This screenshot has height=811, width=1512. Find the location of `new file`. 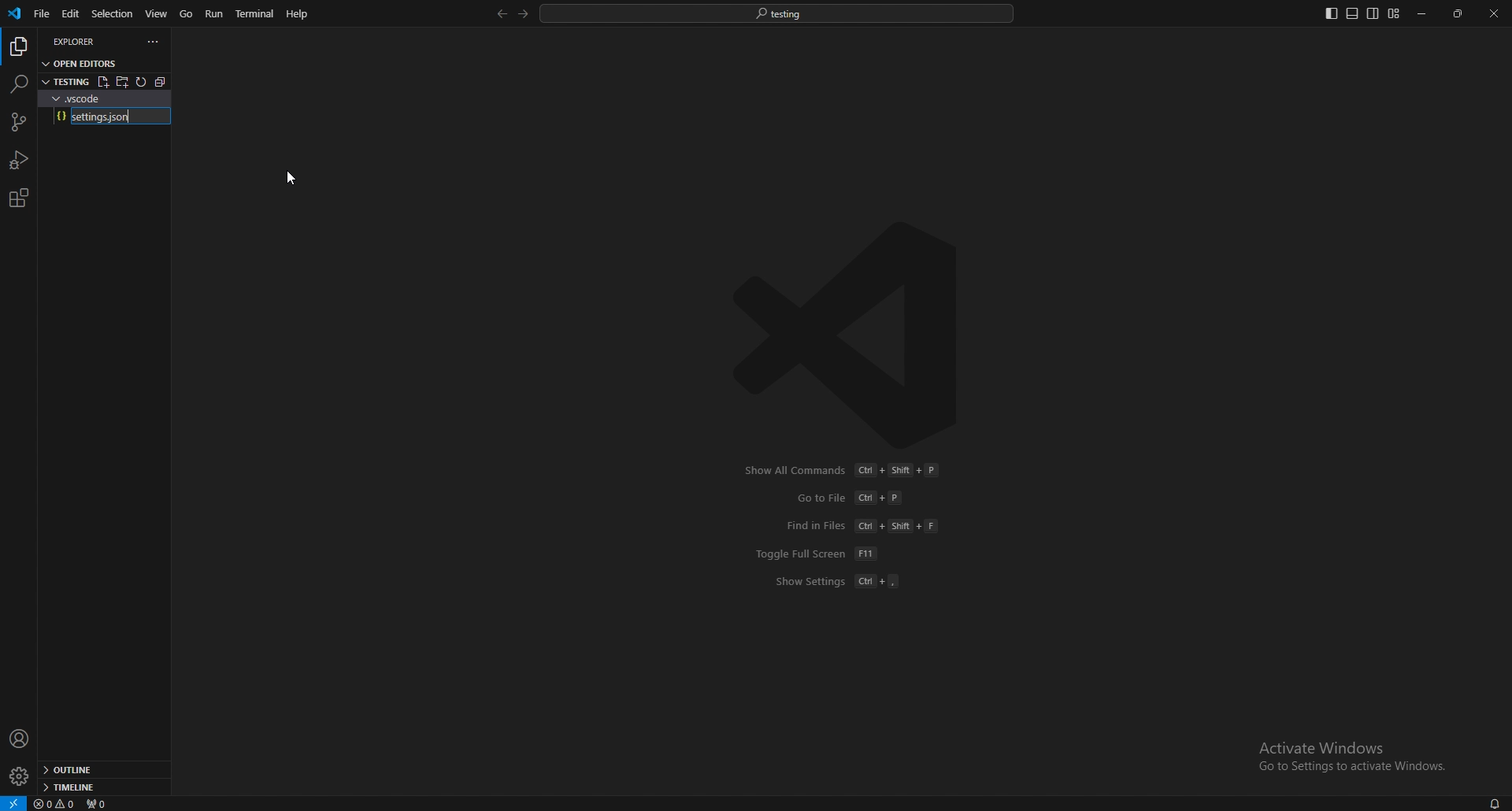

new file is located at coordinates (102, 82).